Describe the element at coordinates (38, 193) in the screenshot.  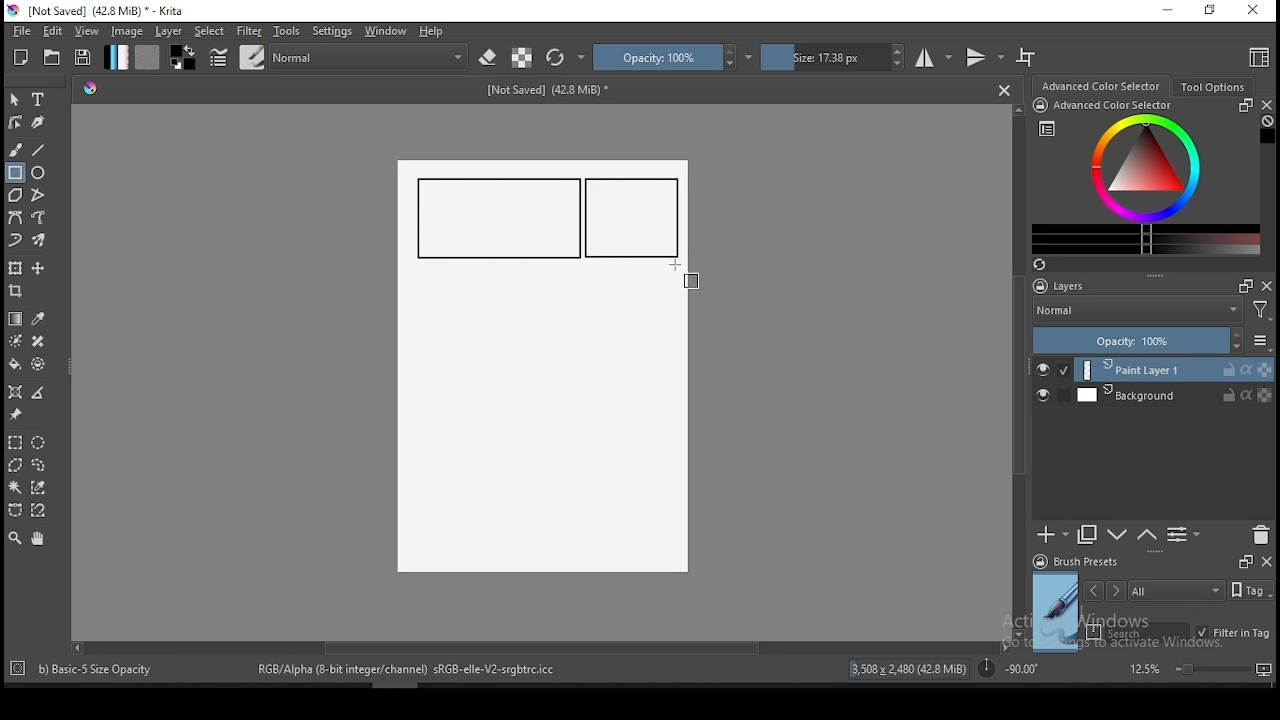
I see `polyline tool` at that location.